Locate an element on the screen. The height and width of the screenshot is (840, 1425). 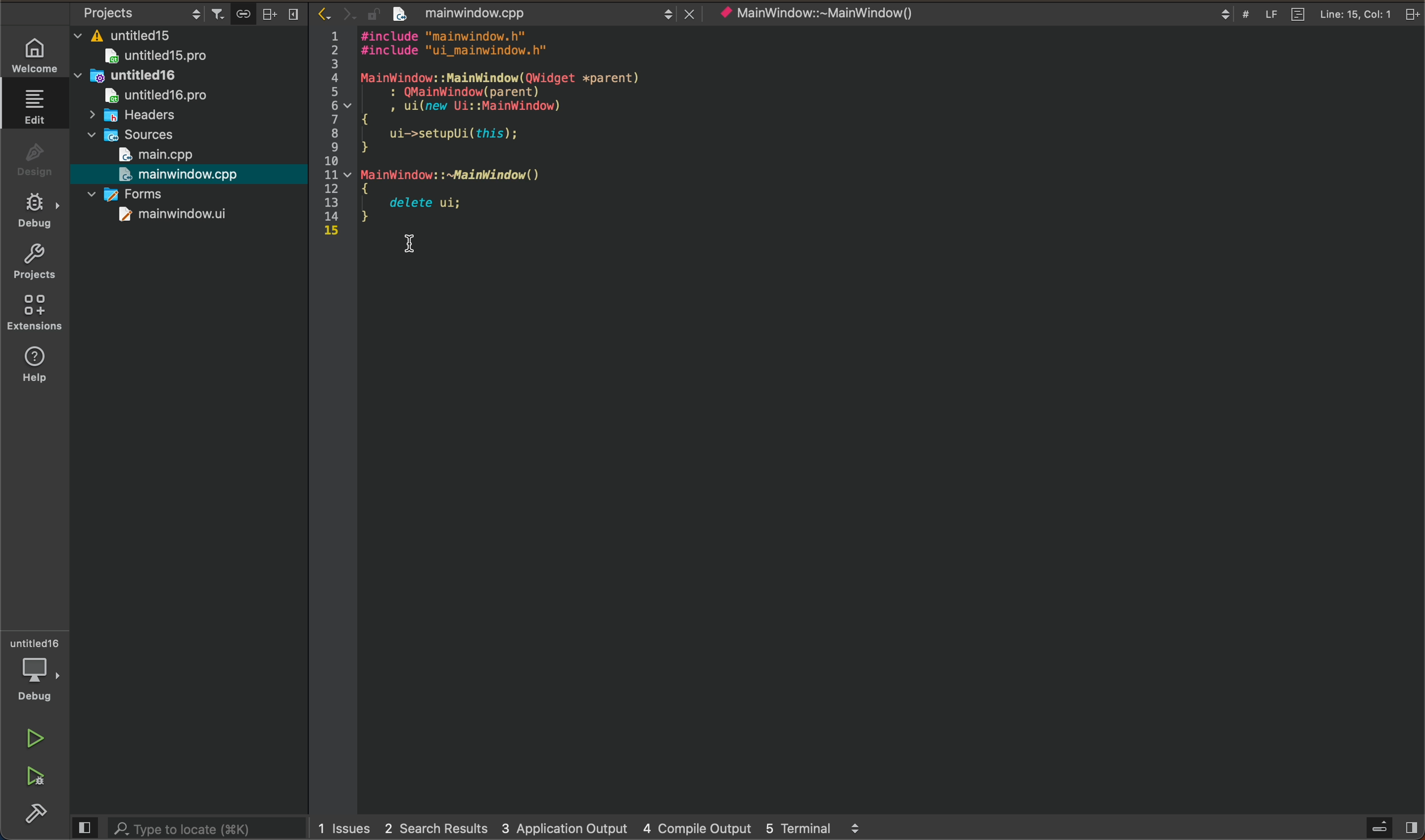
run and debug is located at coordinates (38, 779).